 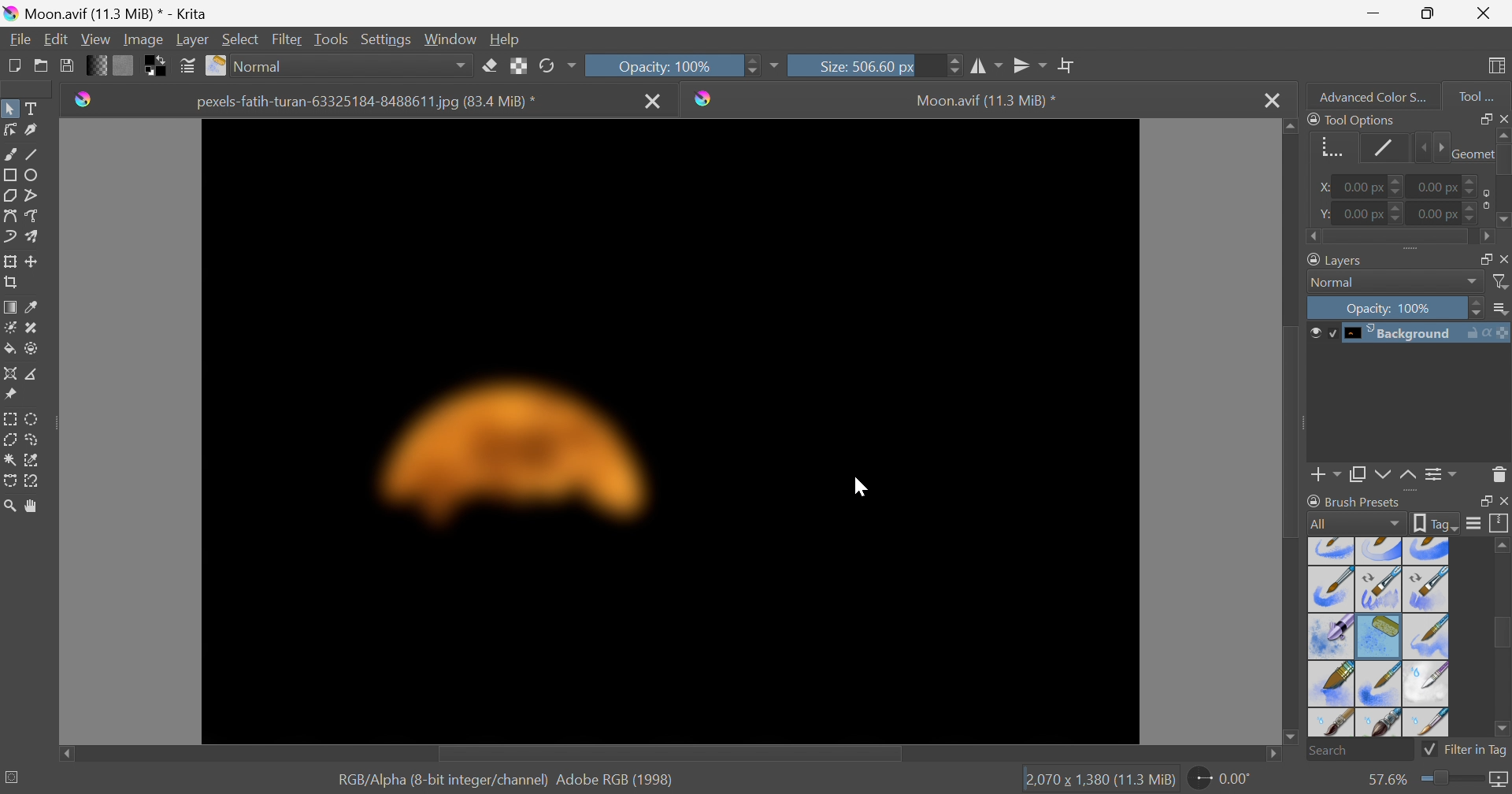 I want to click on Preserve Alpha, so click(x=516, y=67).